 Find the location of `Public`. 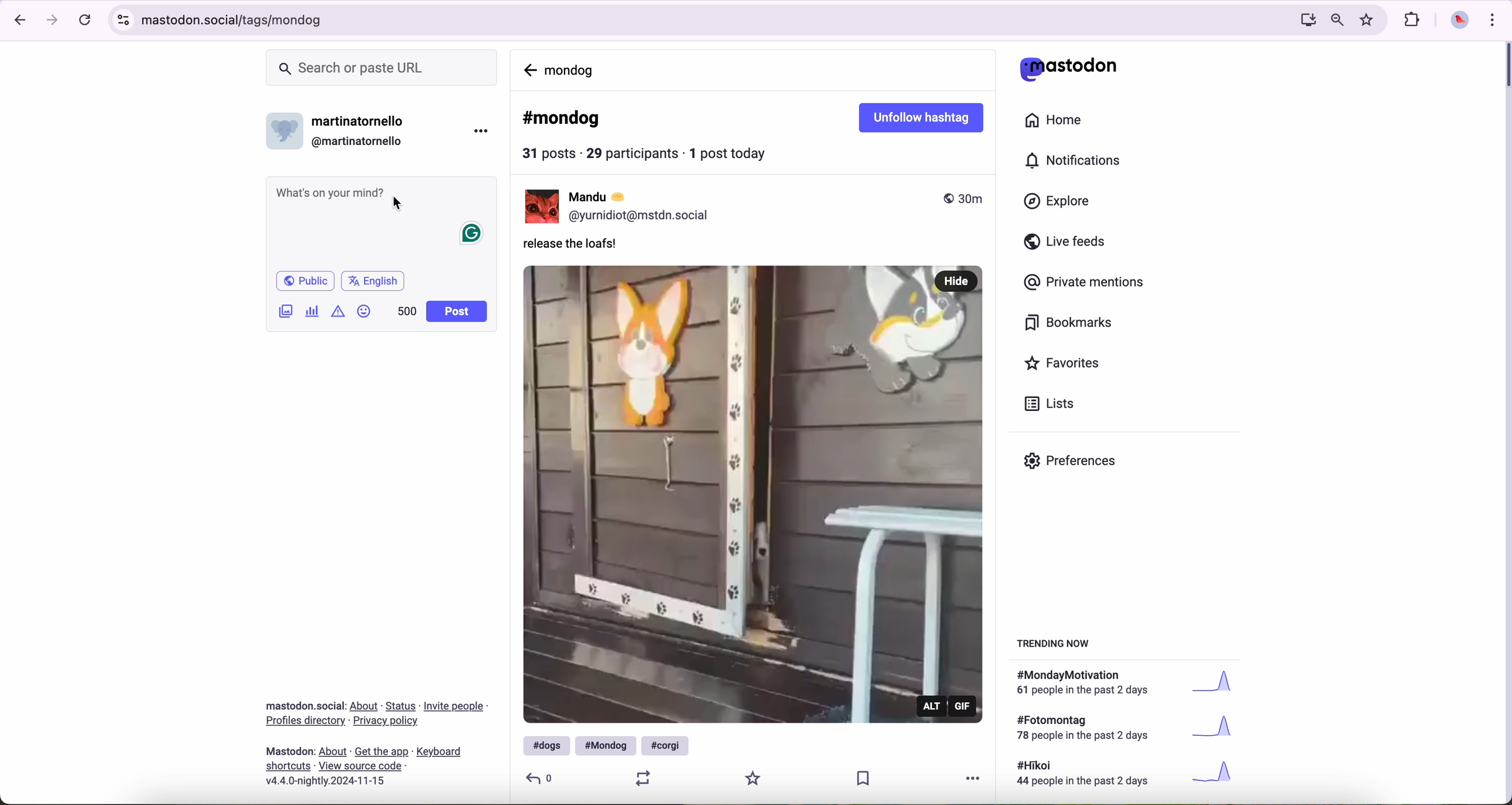

Public is located at coordinates (307, 282).